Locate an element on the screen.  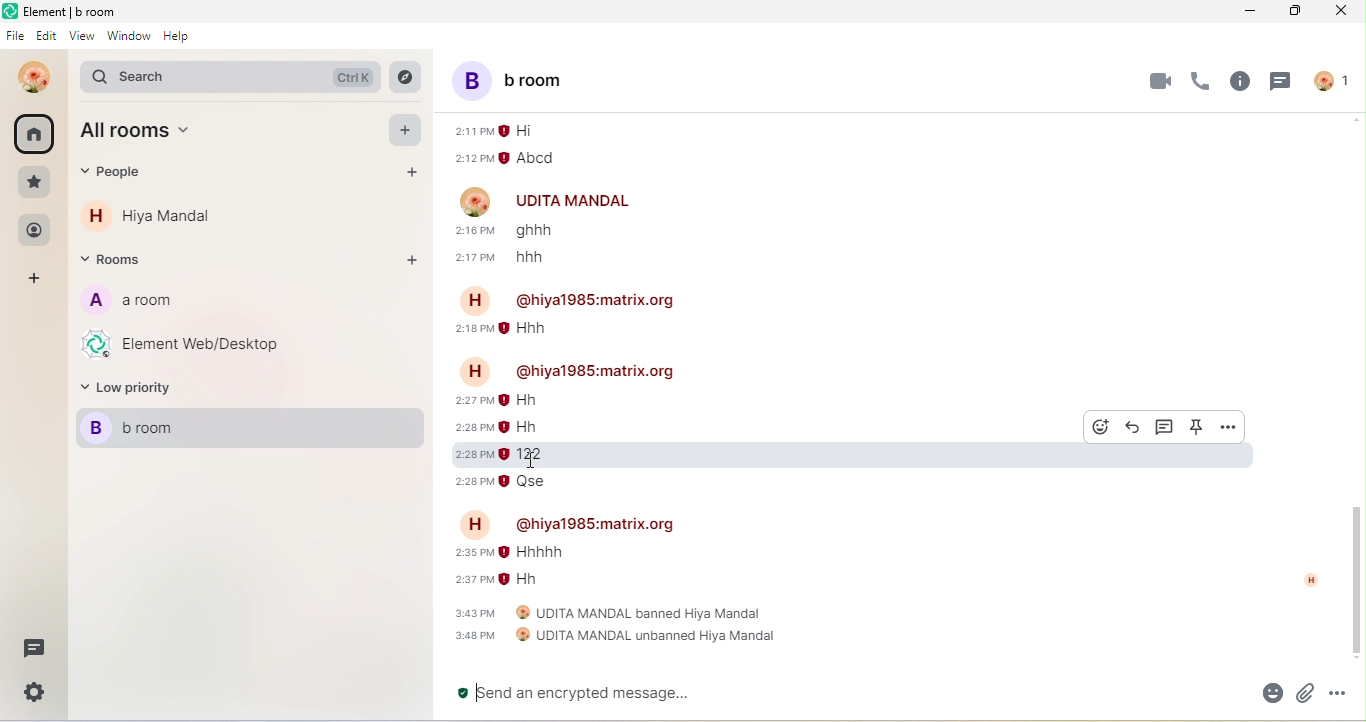
add is located at coordinates (406, 132).